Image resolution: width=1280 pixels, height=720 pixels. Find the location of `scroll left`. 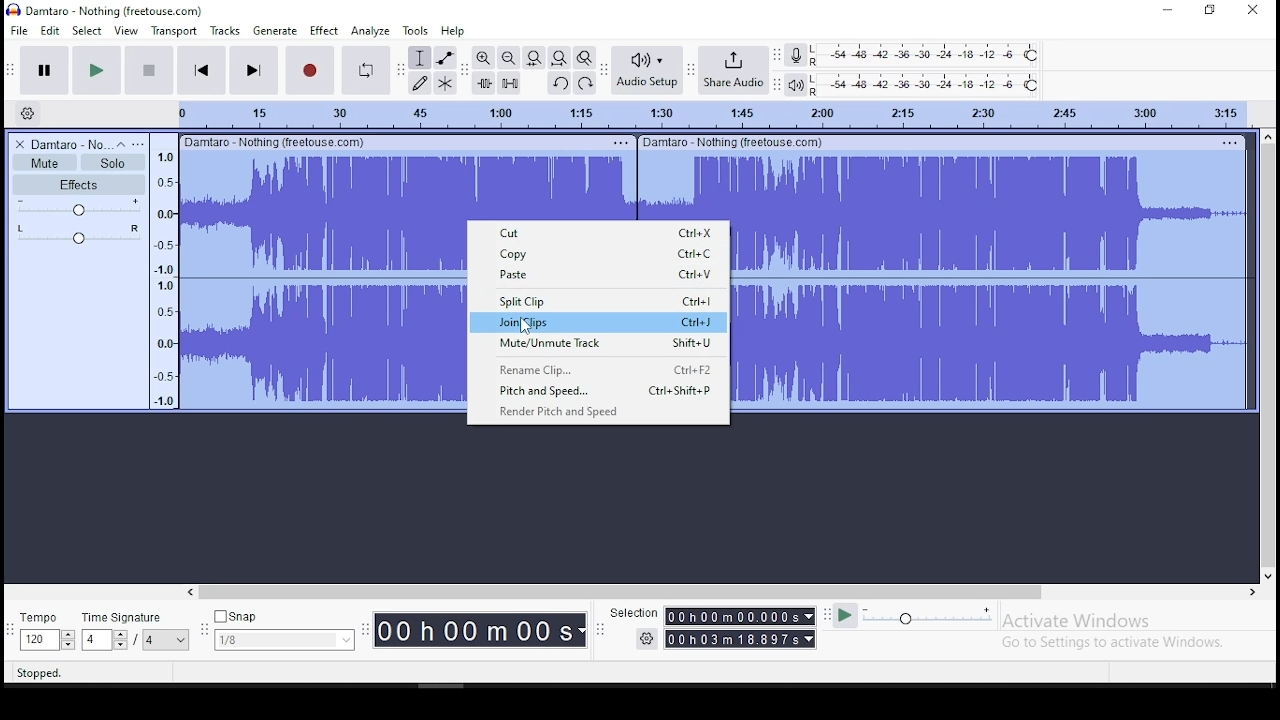

scroll left is located at coordinates (189, 592).